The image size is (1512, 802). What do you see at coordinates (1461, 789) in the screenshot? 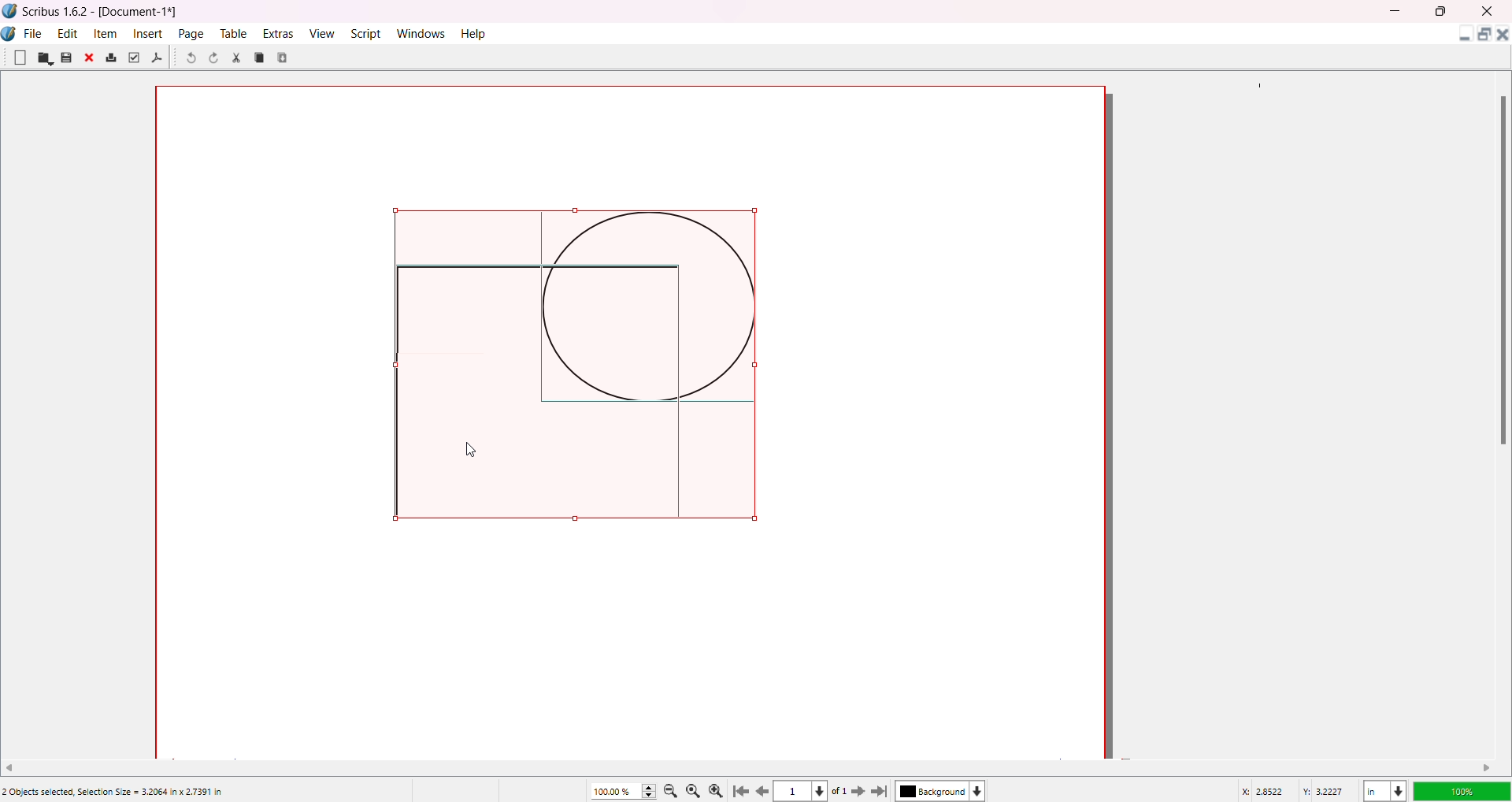
I see `Opacity` at bounding box center [1461, 789].